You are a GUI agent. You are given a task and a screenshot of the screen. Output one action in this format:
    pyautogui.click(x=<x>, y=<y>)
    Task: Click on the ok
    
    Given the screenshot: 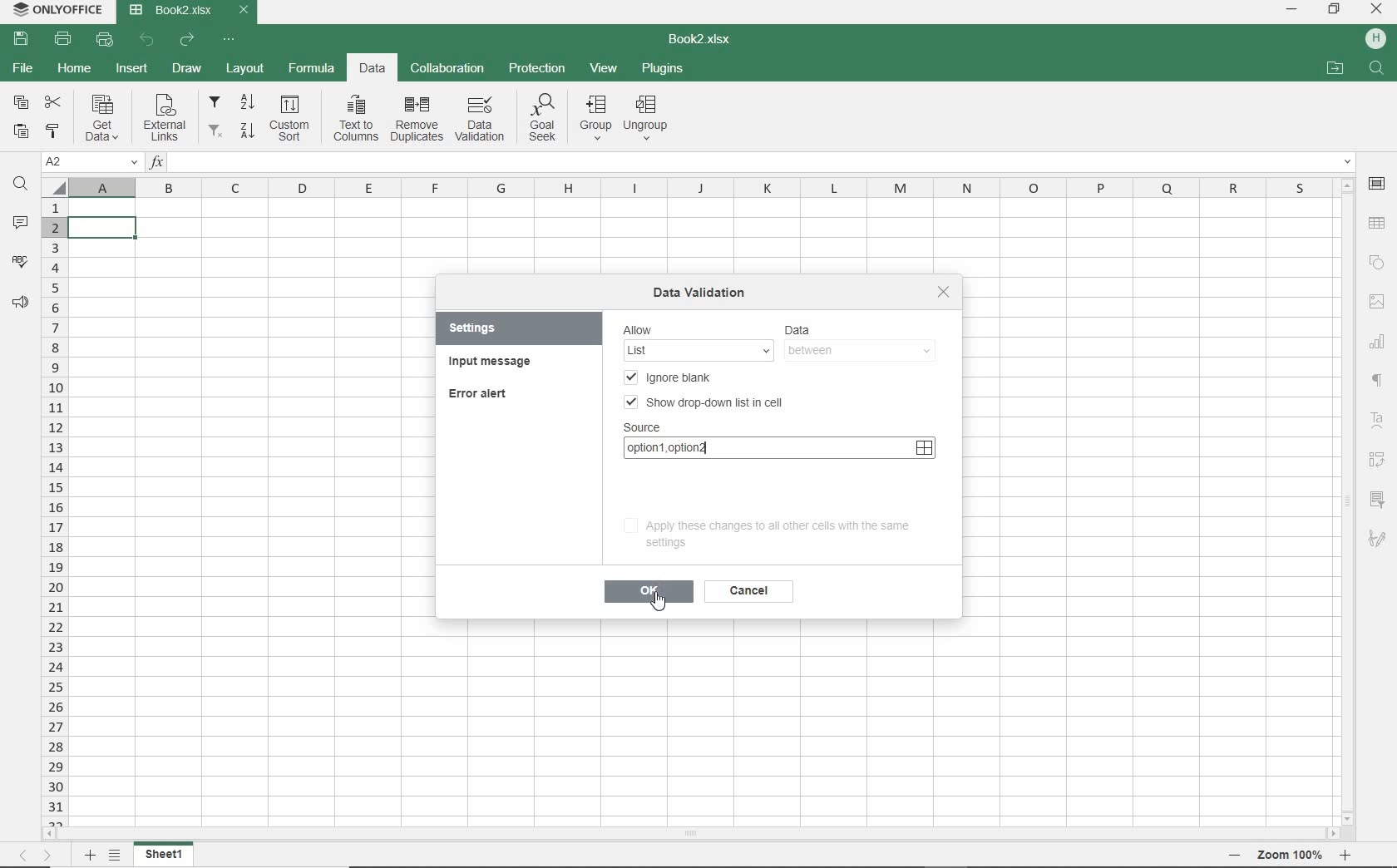 What is the action you would take?
    pyautogui.click(x=649, y=591)
    